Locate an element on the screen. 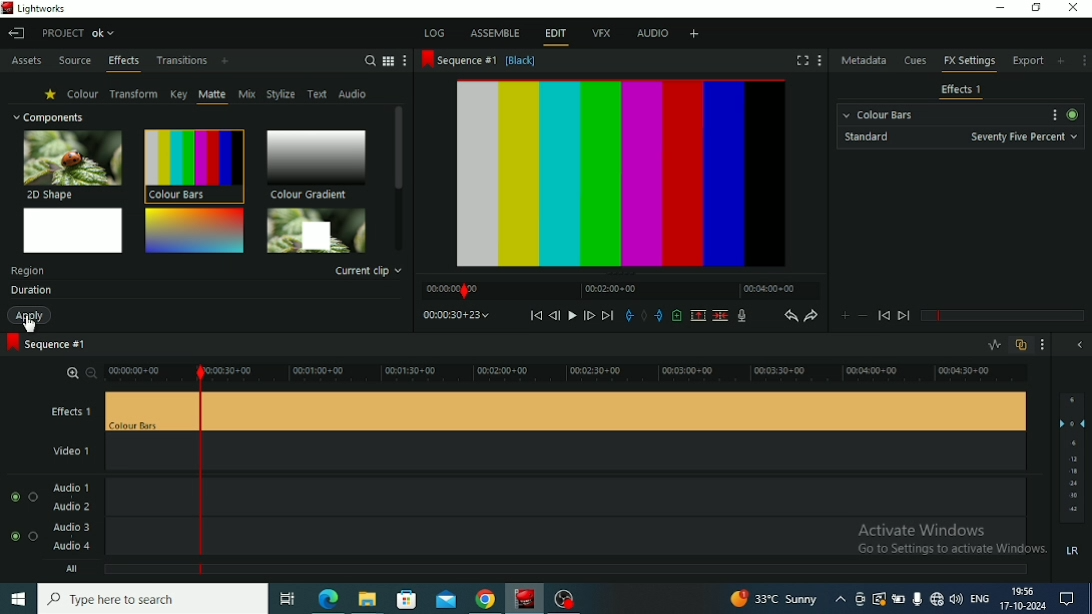 Image resolution: width=1092 pixels, height=614 pixels. Vertical scroll bar is located at coordinates (398, 176).